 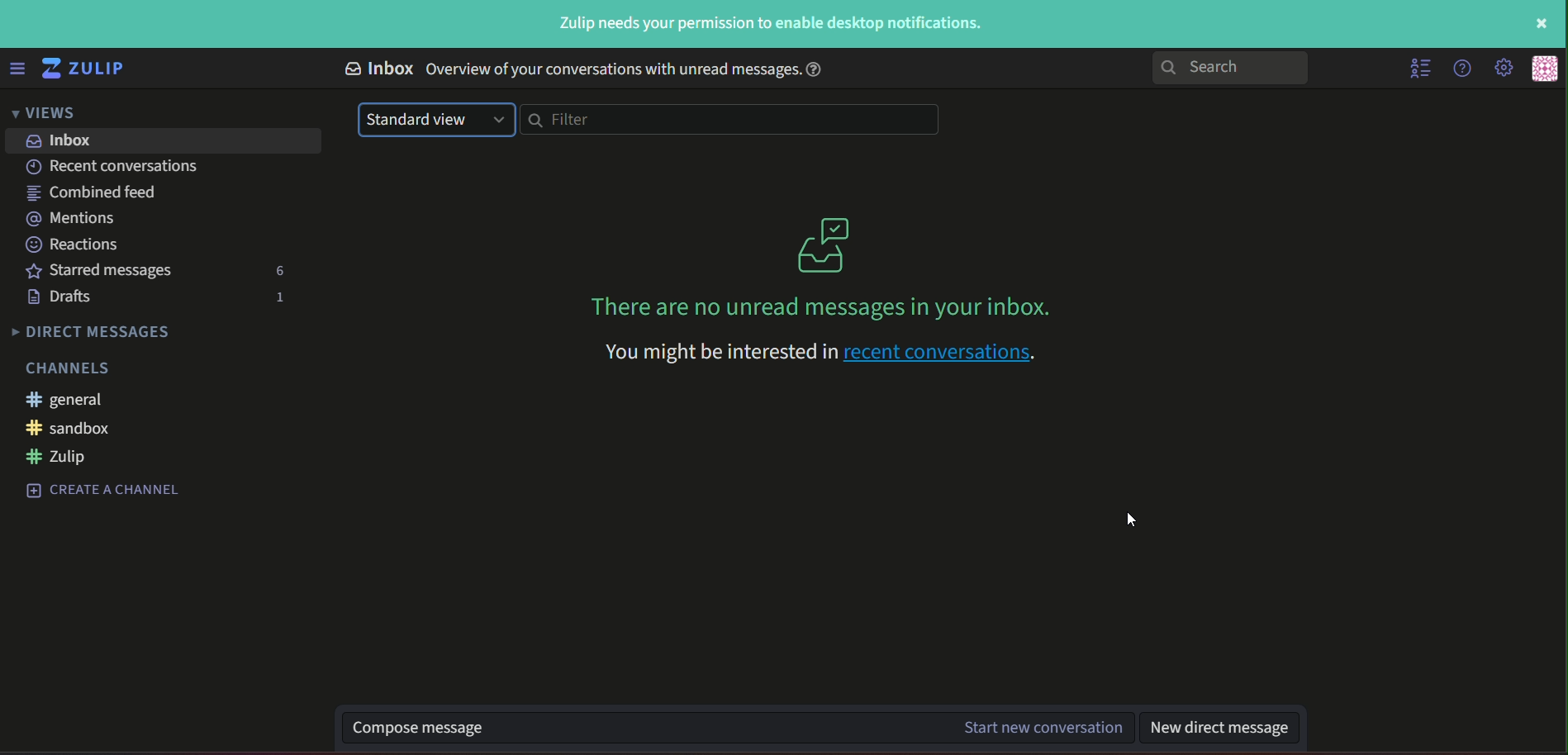 What do you see at coordinates (69, 297) in the screenshot?
I see `text` at bounding box center [69, 297].